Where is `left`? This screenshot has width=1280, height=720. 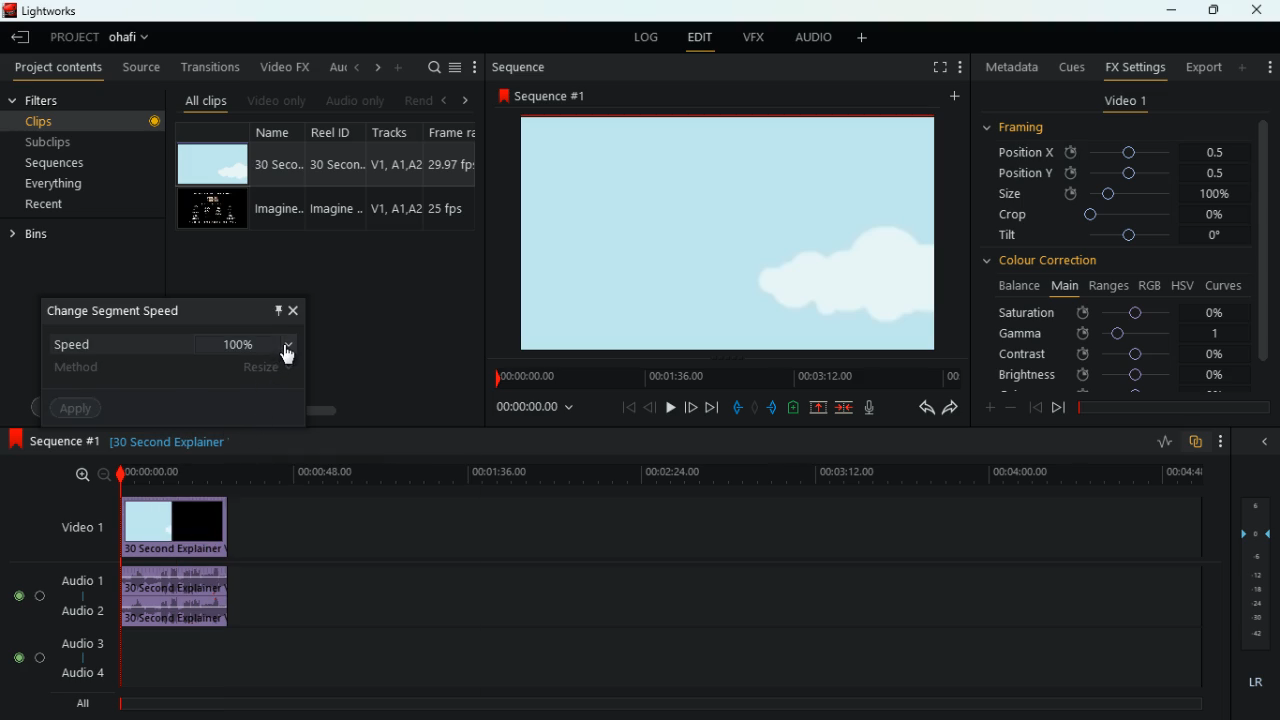 left is located at coordinates (442, 98).